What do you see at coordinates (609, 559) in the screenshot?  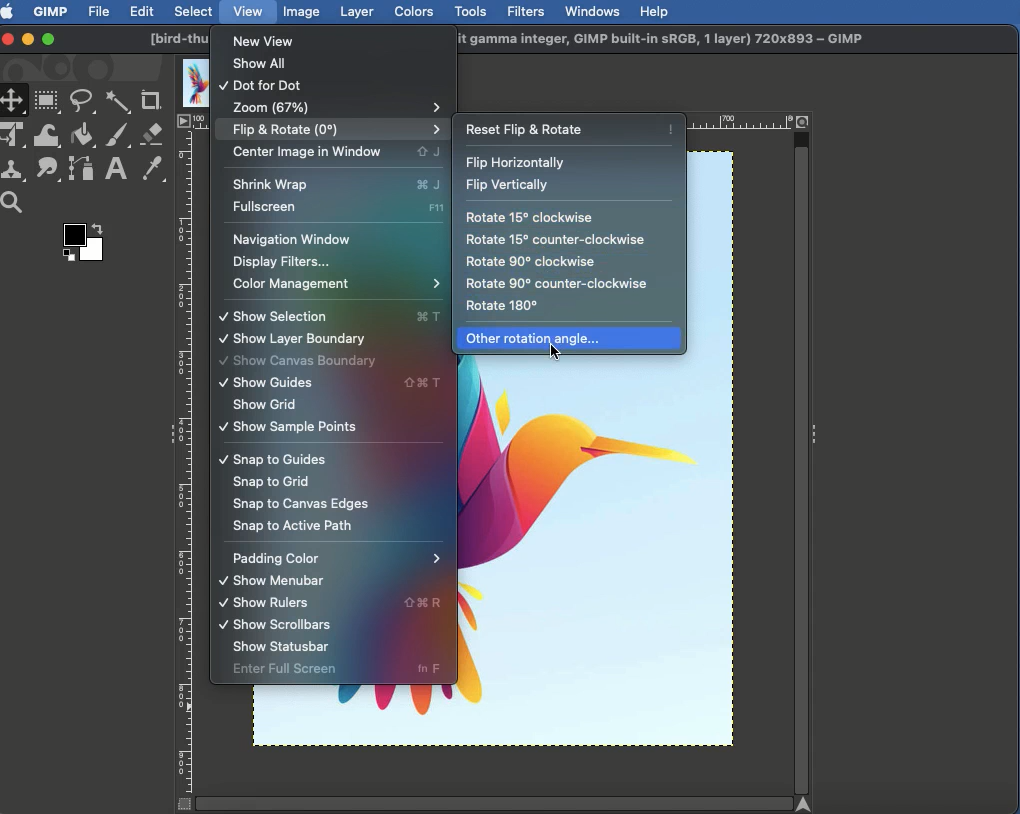 I see `Image` at bounding box center [609, 559].